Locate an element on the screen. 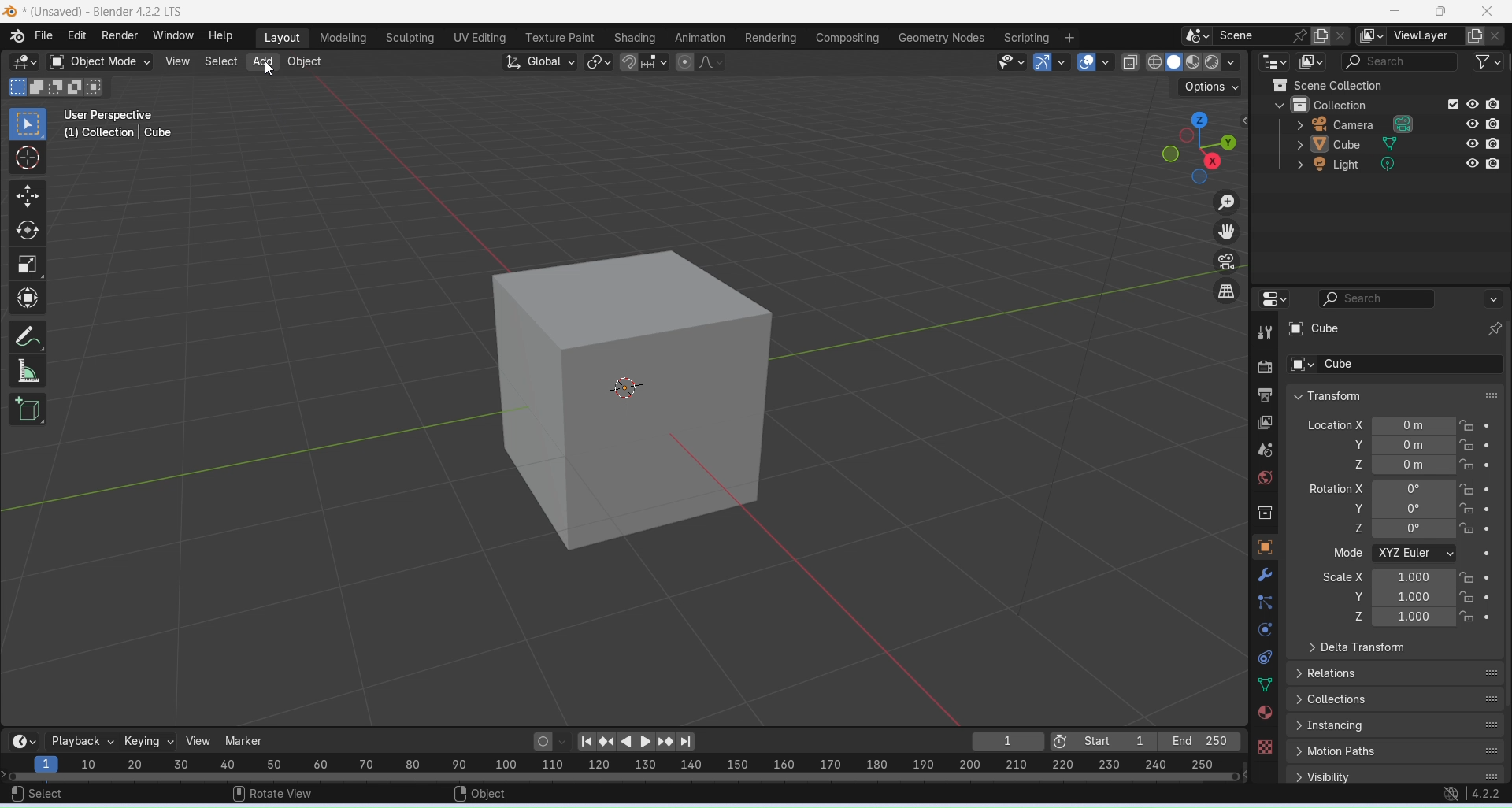 The image size is (1512, 808). Jump to endpoint is located at coordinates (584, 740).